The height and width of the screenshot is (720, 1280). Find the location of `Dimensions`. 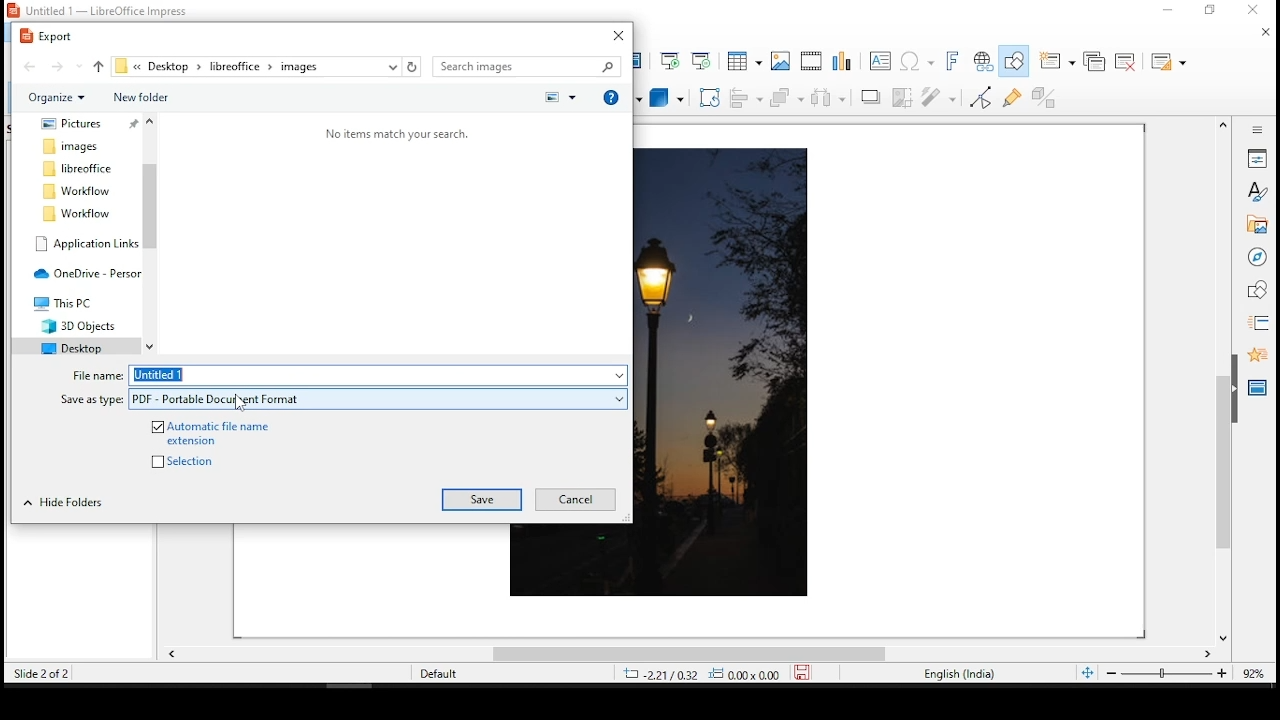

Dimensions is located at coordinates (722, 674).